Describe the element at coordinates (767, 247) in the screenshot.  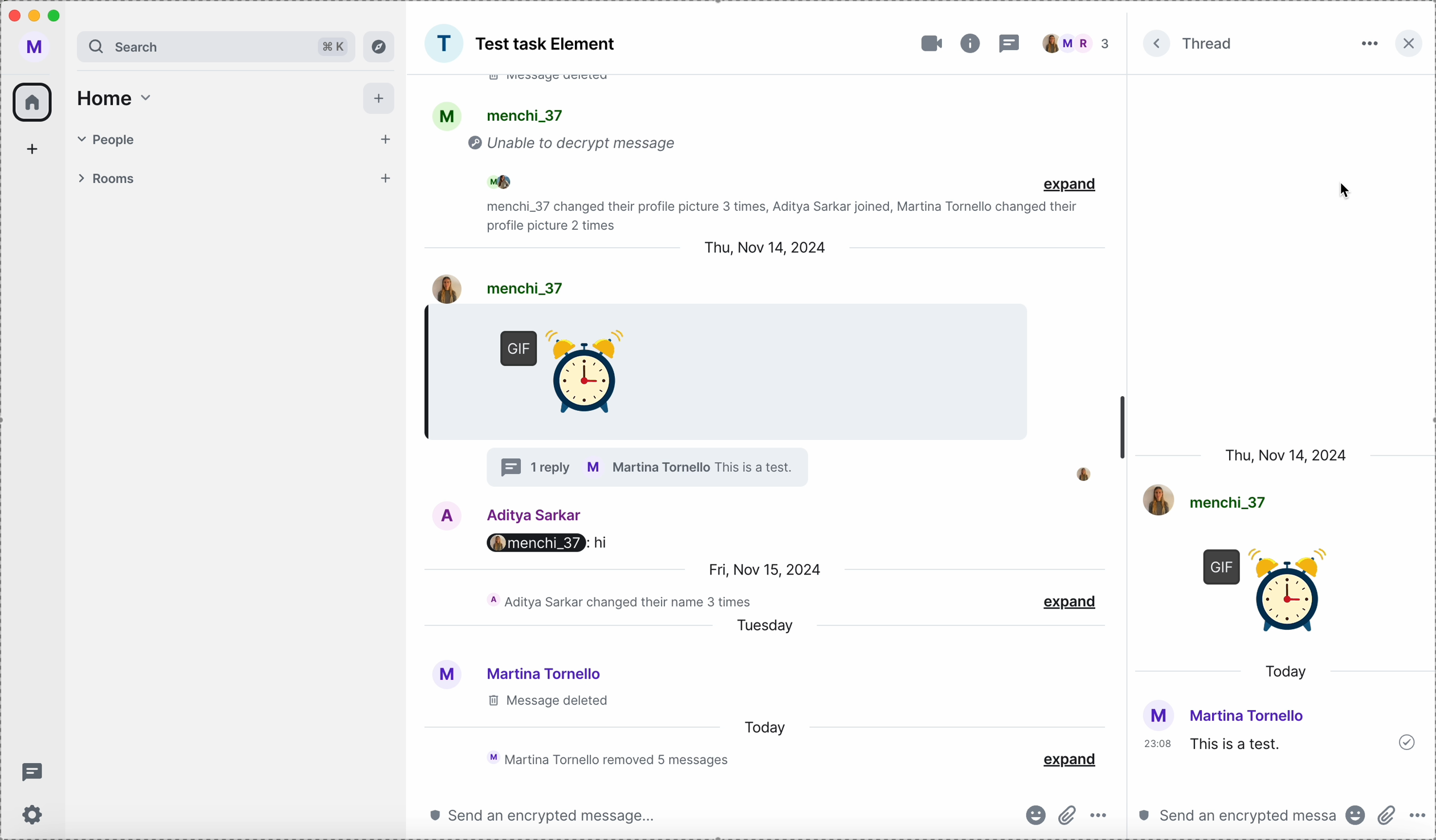
I see `date` at that location.